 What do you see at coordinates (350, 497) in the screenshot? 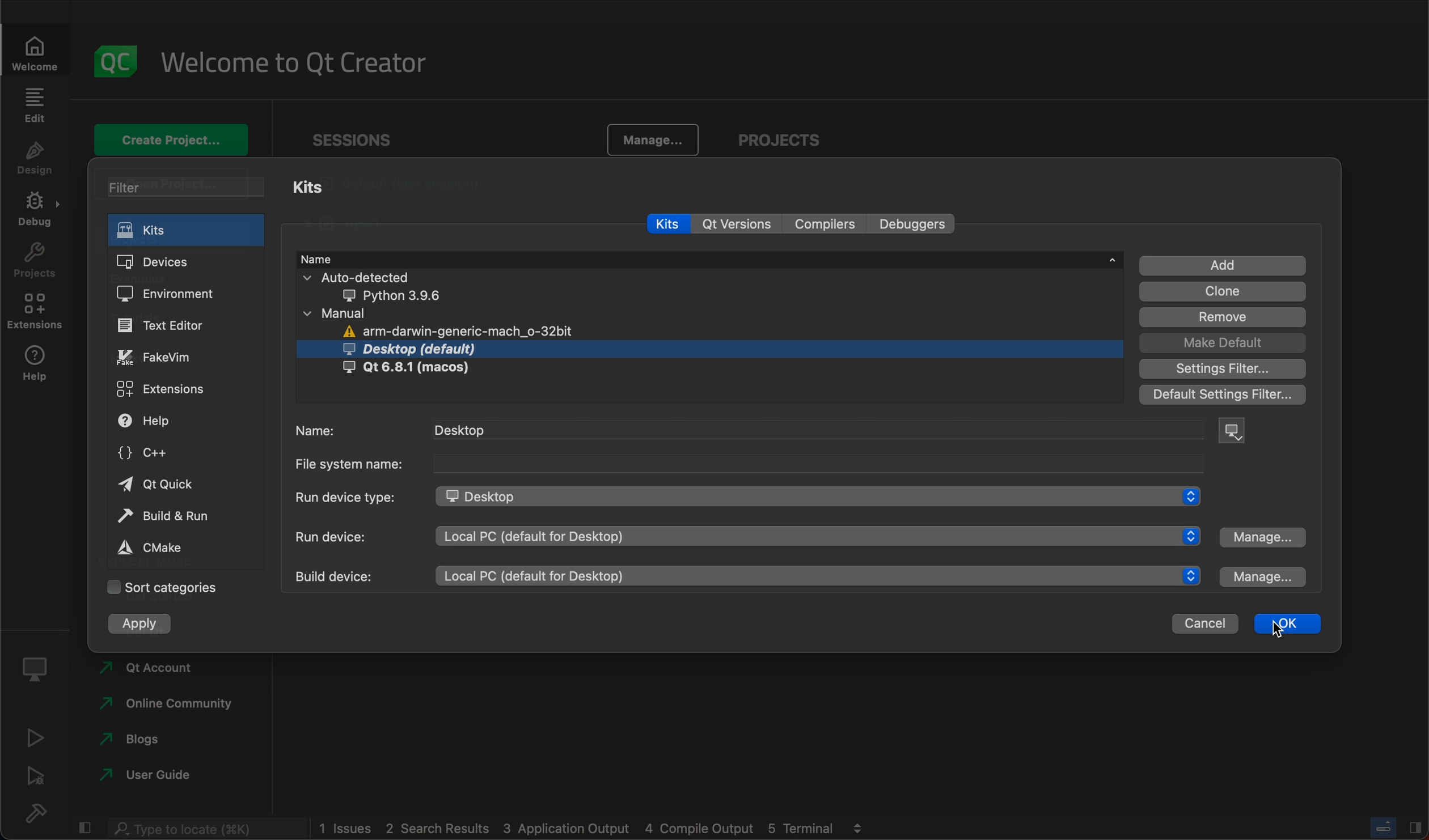
I see `Run device type:` at bounding box center [350, 497].